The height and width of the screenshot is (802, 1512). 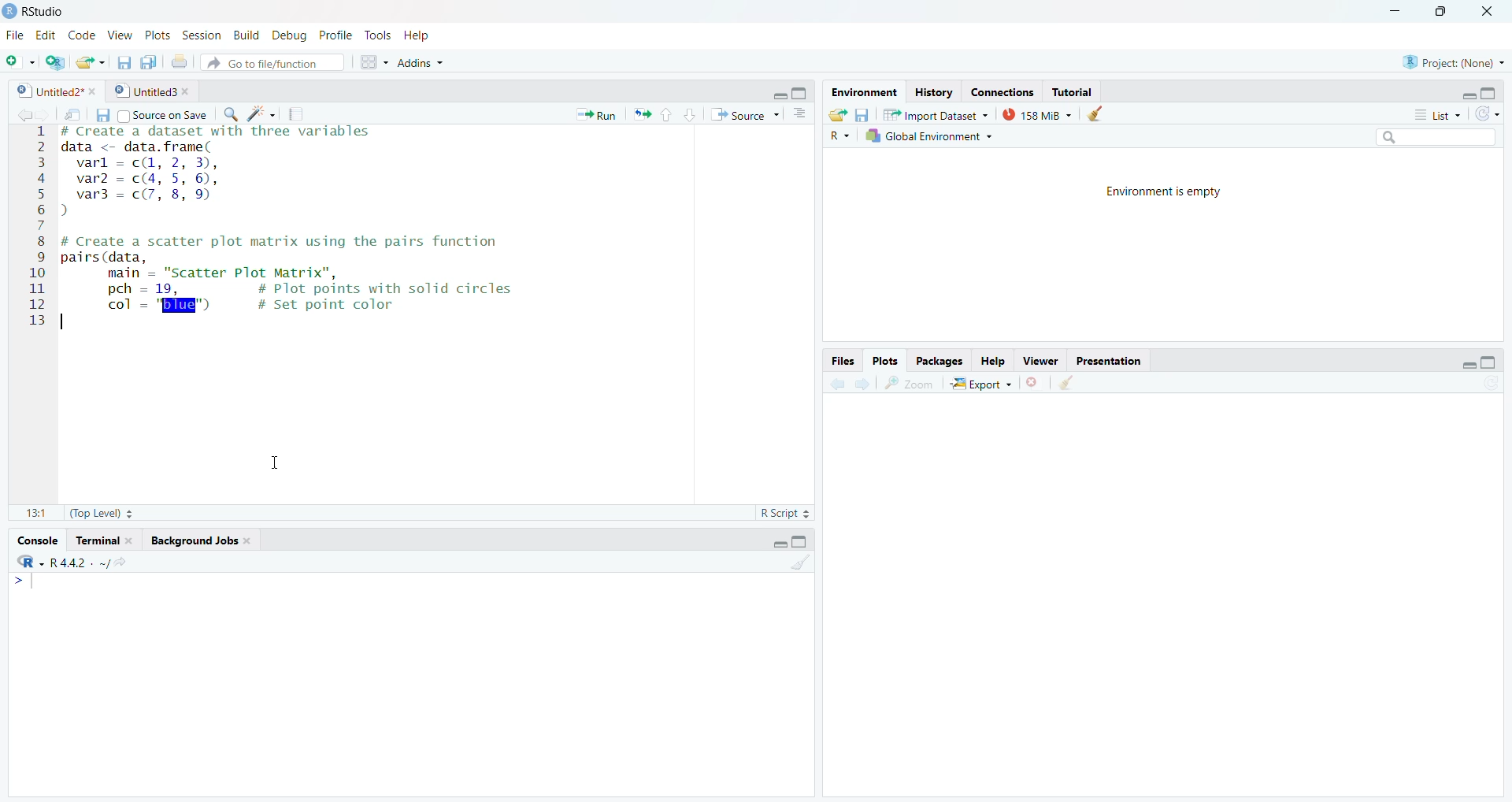 What do you see at coordinates (1034, 387) in the screenshot?
I see `Remove current viewer item` at bounding box center [1034, 387].